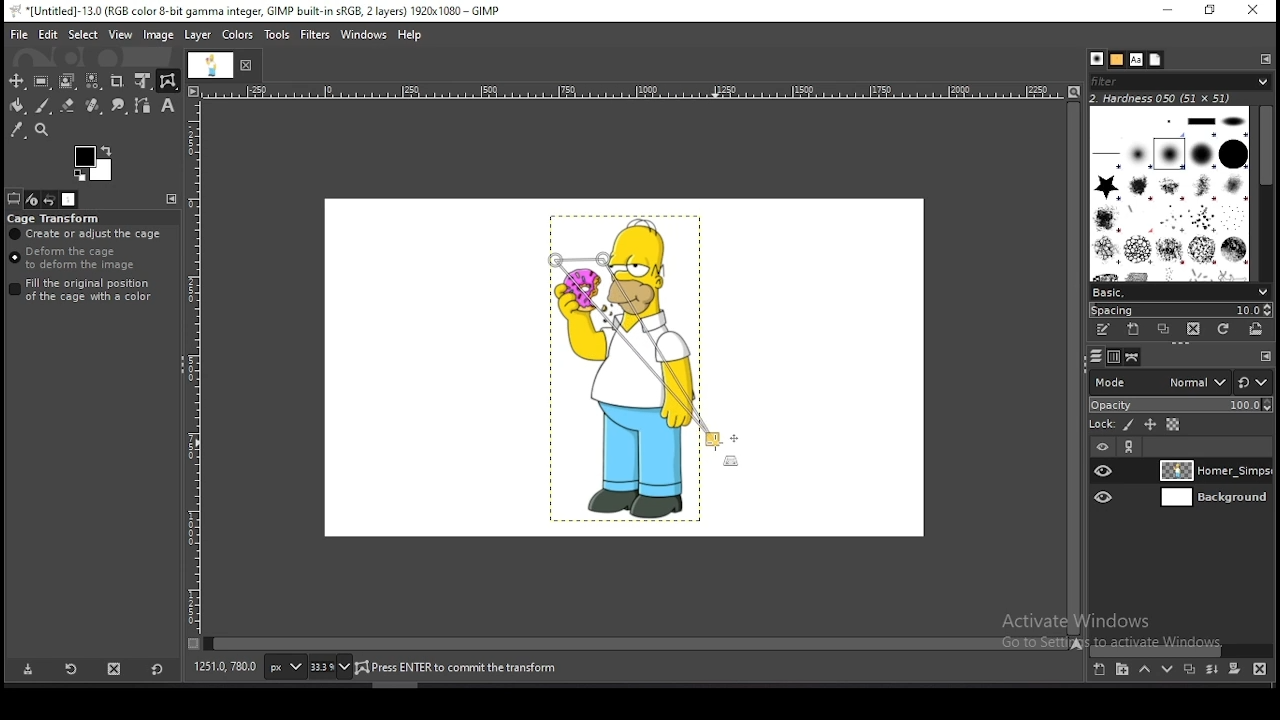  Describe the element at coordinates (1171, 192) in the screenshot. I see `brushes` at that location.